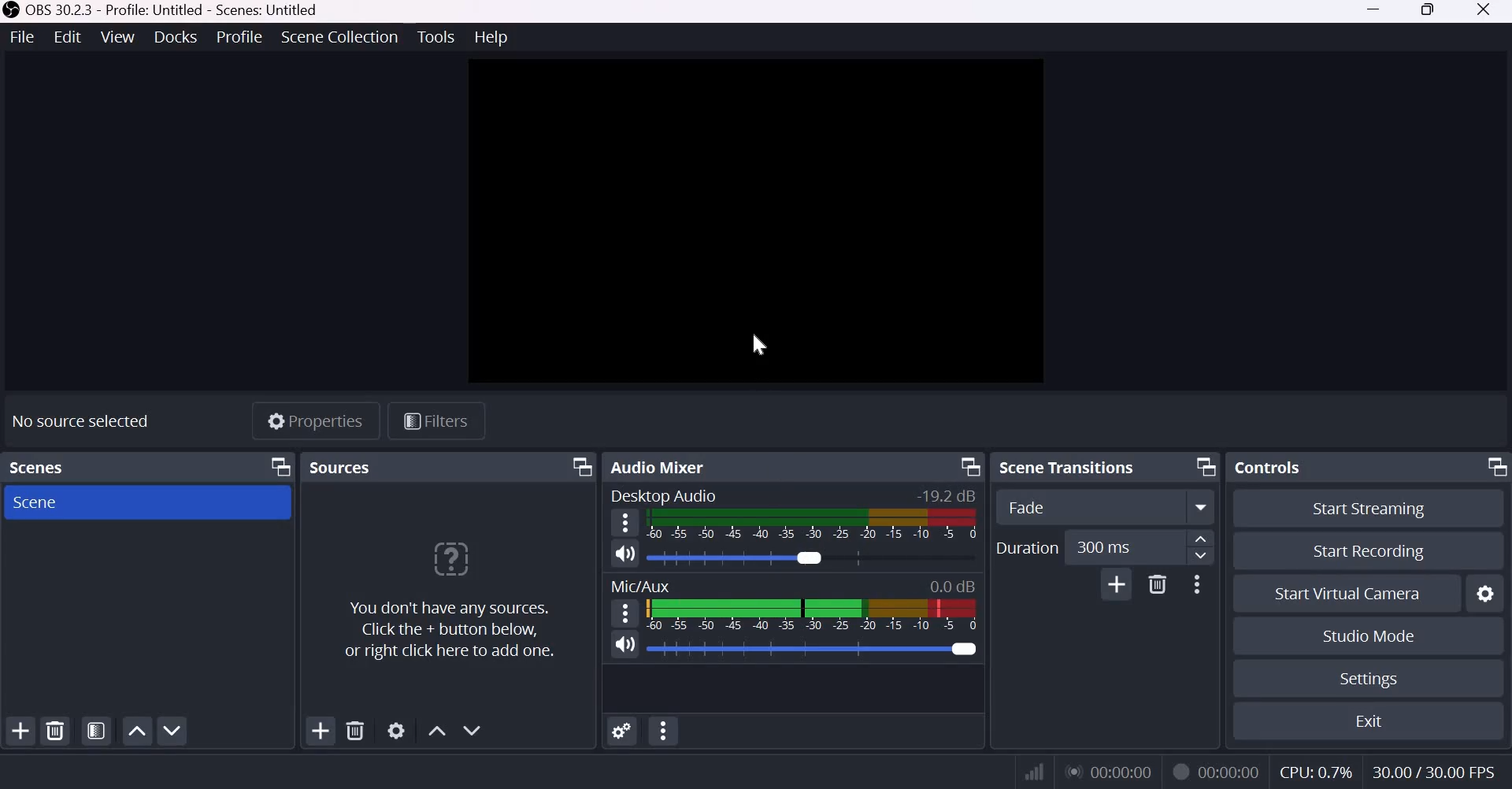 The height and width of the screenshot is (789, 1512). Describe the element at coordinates (624, 523) in the screenshot. I see `hamburger menu` at that location.